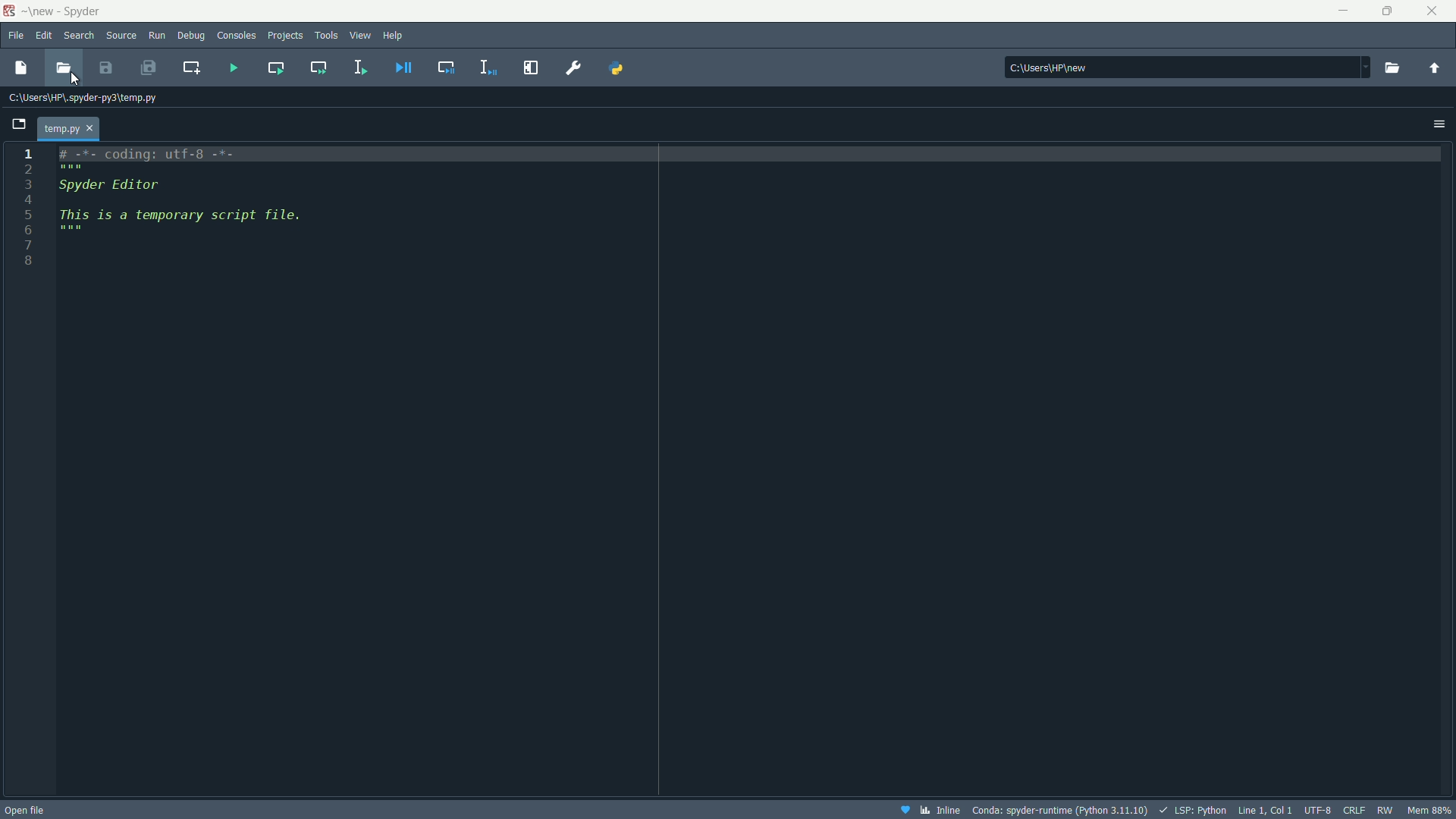  What do you see at coordinates (158, 36) in the screenshot?
I see `Run menu` at bounding box center [158, 36].